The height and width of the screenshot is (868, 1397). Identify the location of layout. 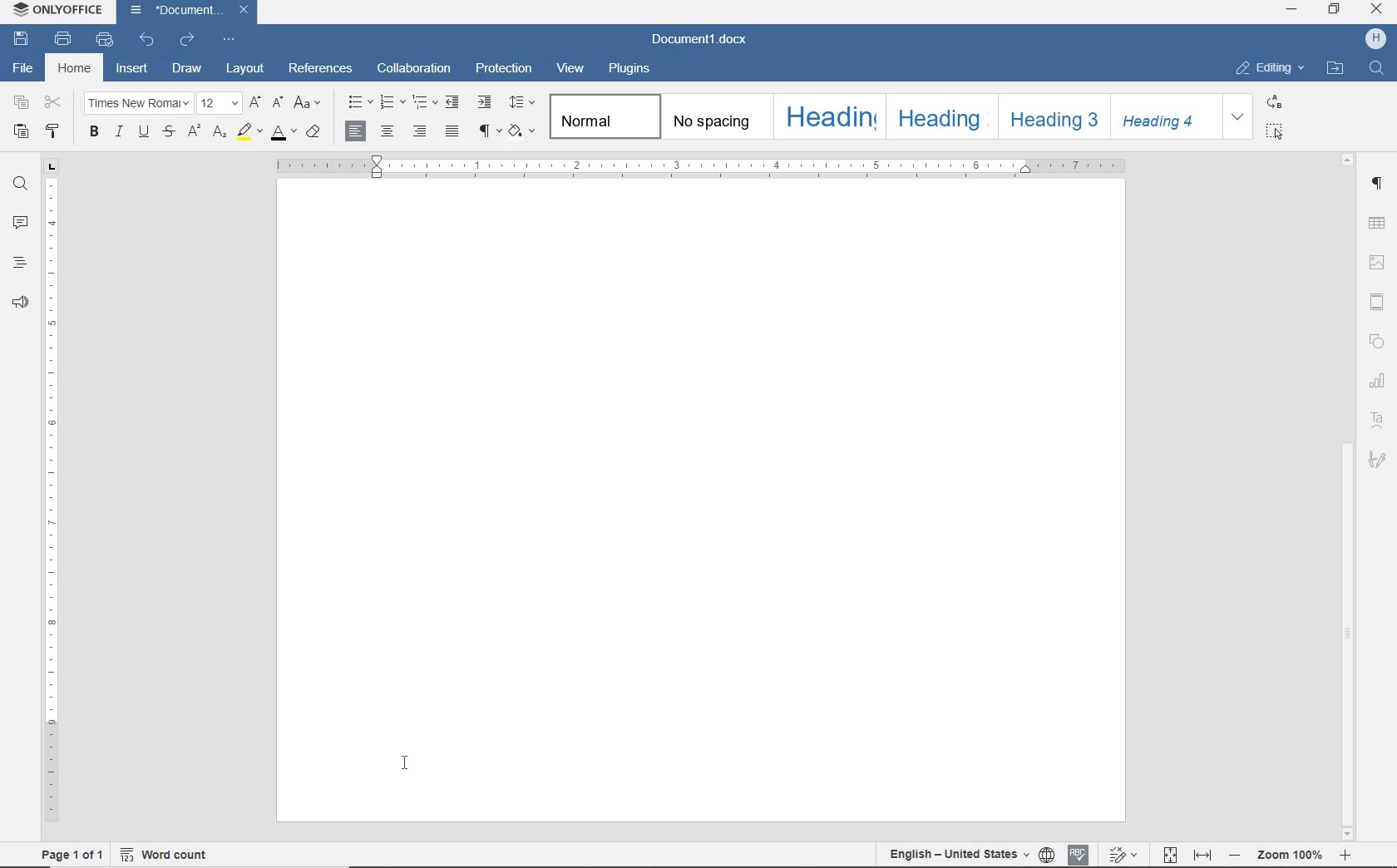
(245, 70).